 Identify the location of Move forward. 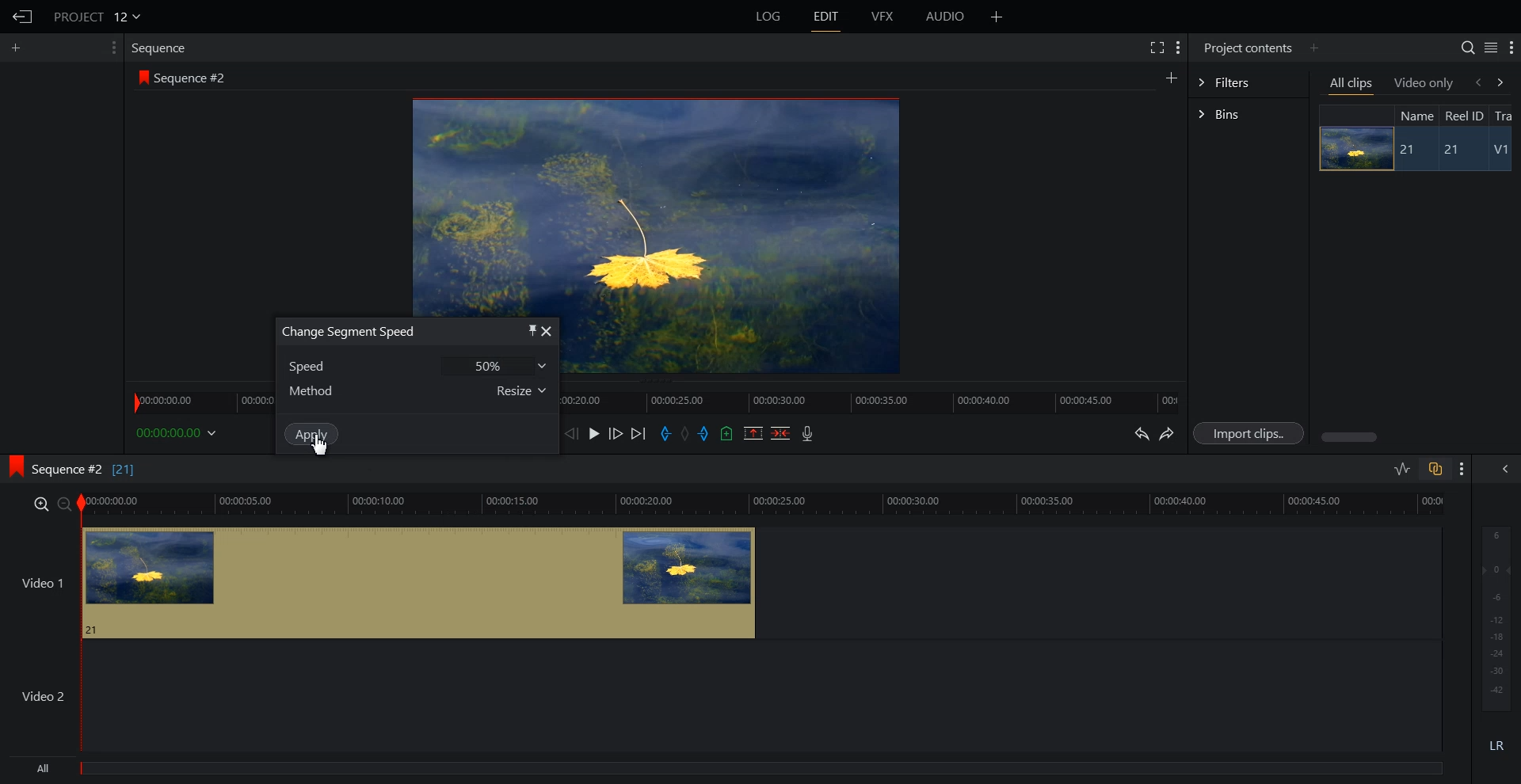
(639, 434).